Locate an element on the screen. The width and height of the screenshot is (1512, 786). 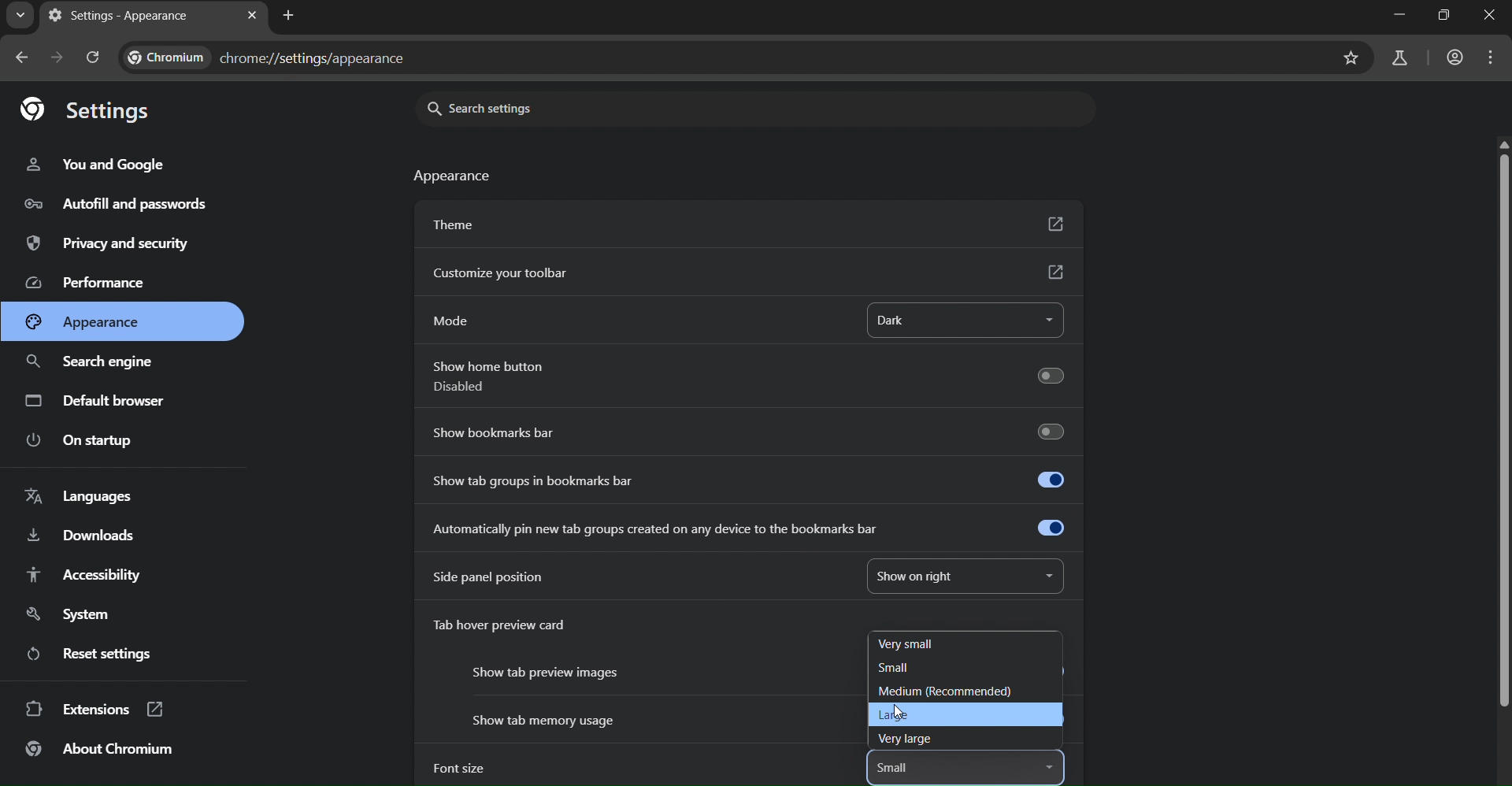
text is located at coordinates (455, 178).